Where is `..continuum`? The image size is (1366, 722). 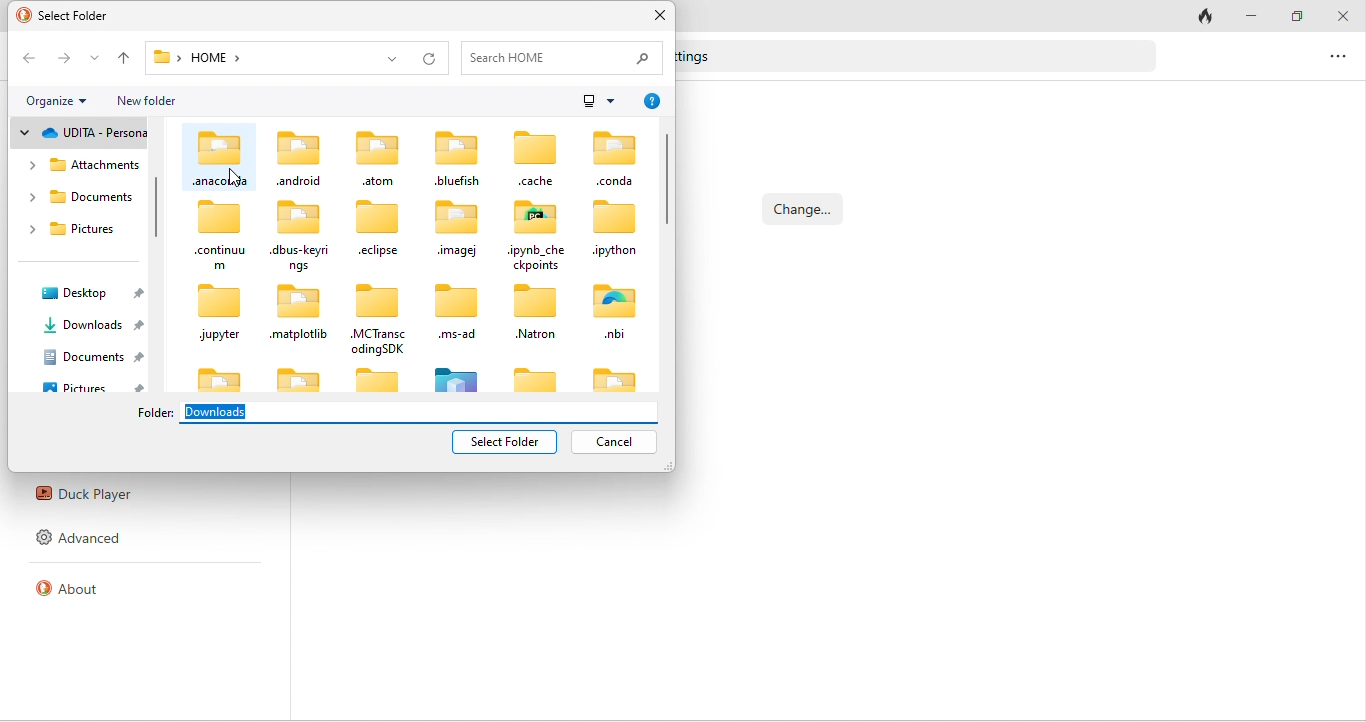 ..continuum is located at coordinates (220, 235).